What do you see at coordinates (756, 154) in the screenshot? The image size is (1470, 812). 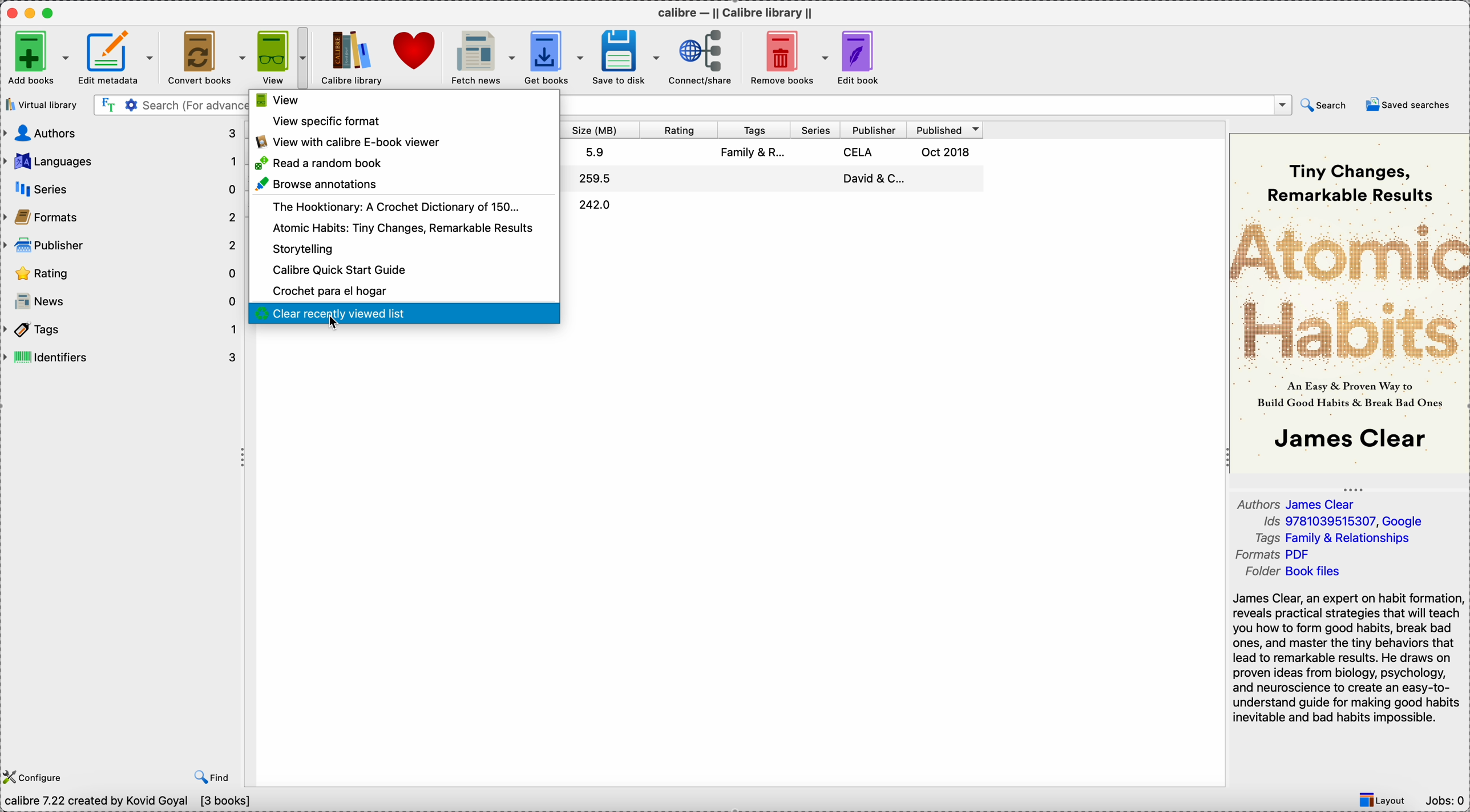 I see `Family & R...` at bounding box center [756, 154].